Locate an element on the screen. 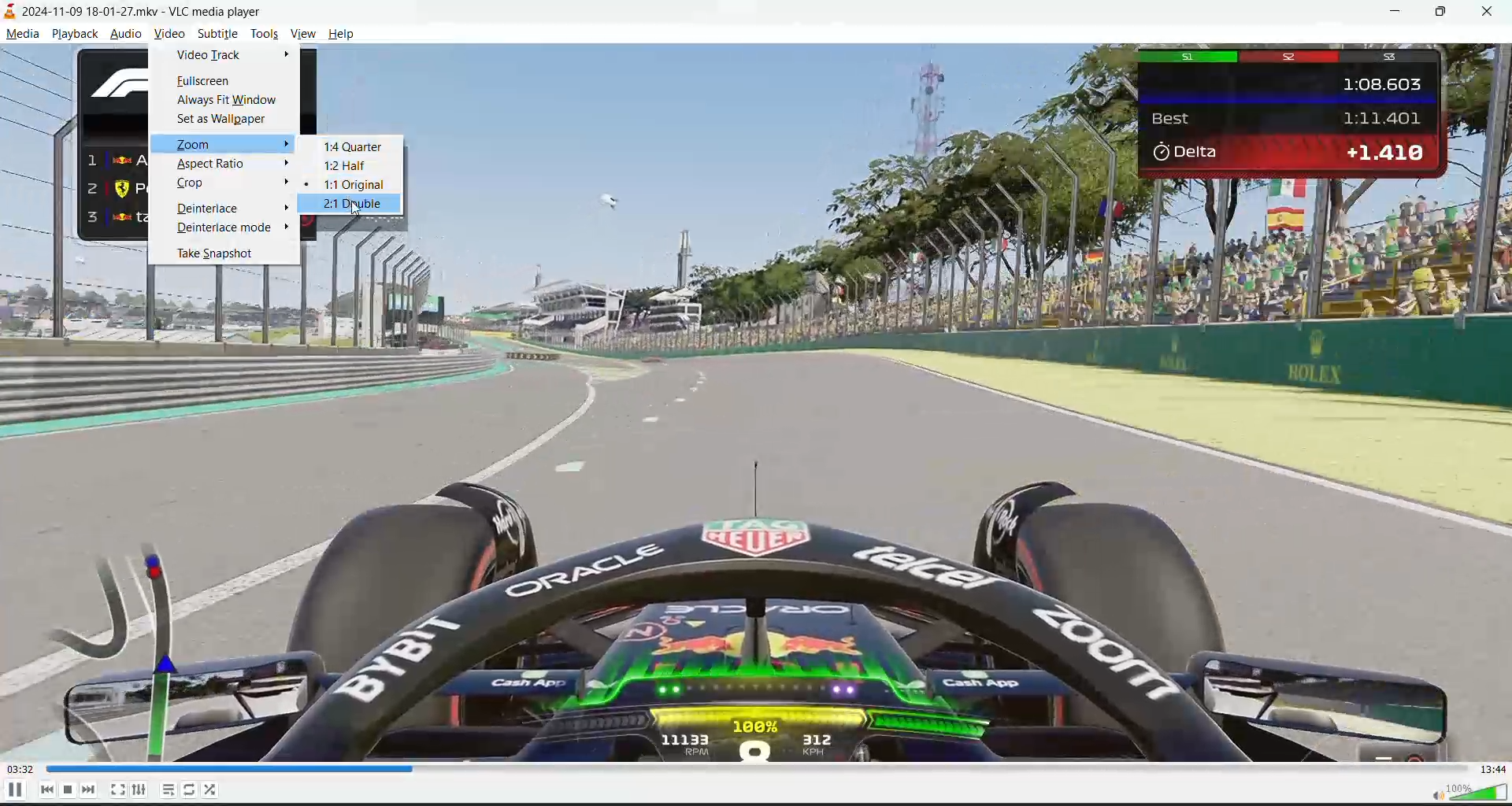  Cursor is located at coordinates (359, 211).